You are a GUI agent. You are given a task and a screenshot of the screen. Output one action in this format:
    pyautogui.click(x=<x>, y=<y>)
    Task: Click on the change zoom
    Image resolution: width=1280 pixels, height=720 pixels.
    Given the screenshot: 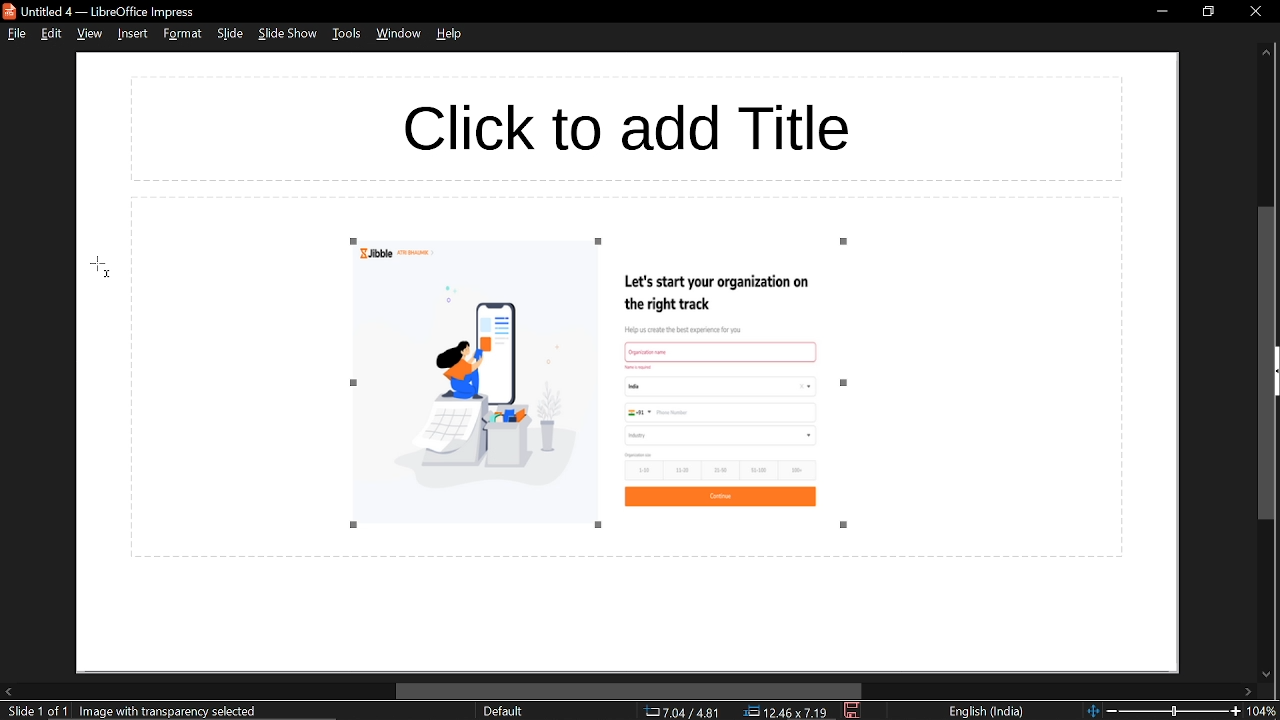 What is the action you would take?
    pyautogui.click(x=1162, y=712)
    